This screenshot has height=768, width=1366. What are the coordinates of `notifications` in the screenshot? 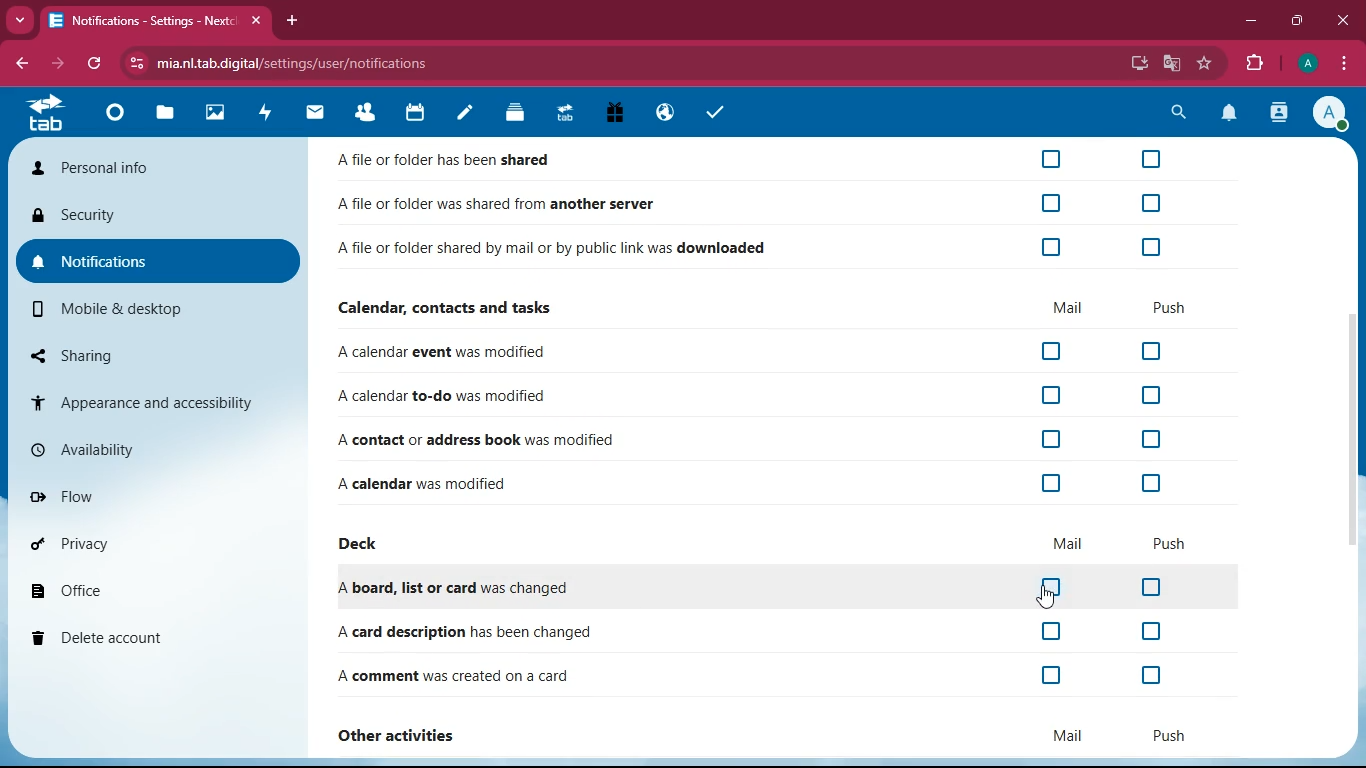 It's located at (158, 261).